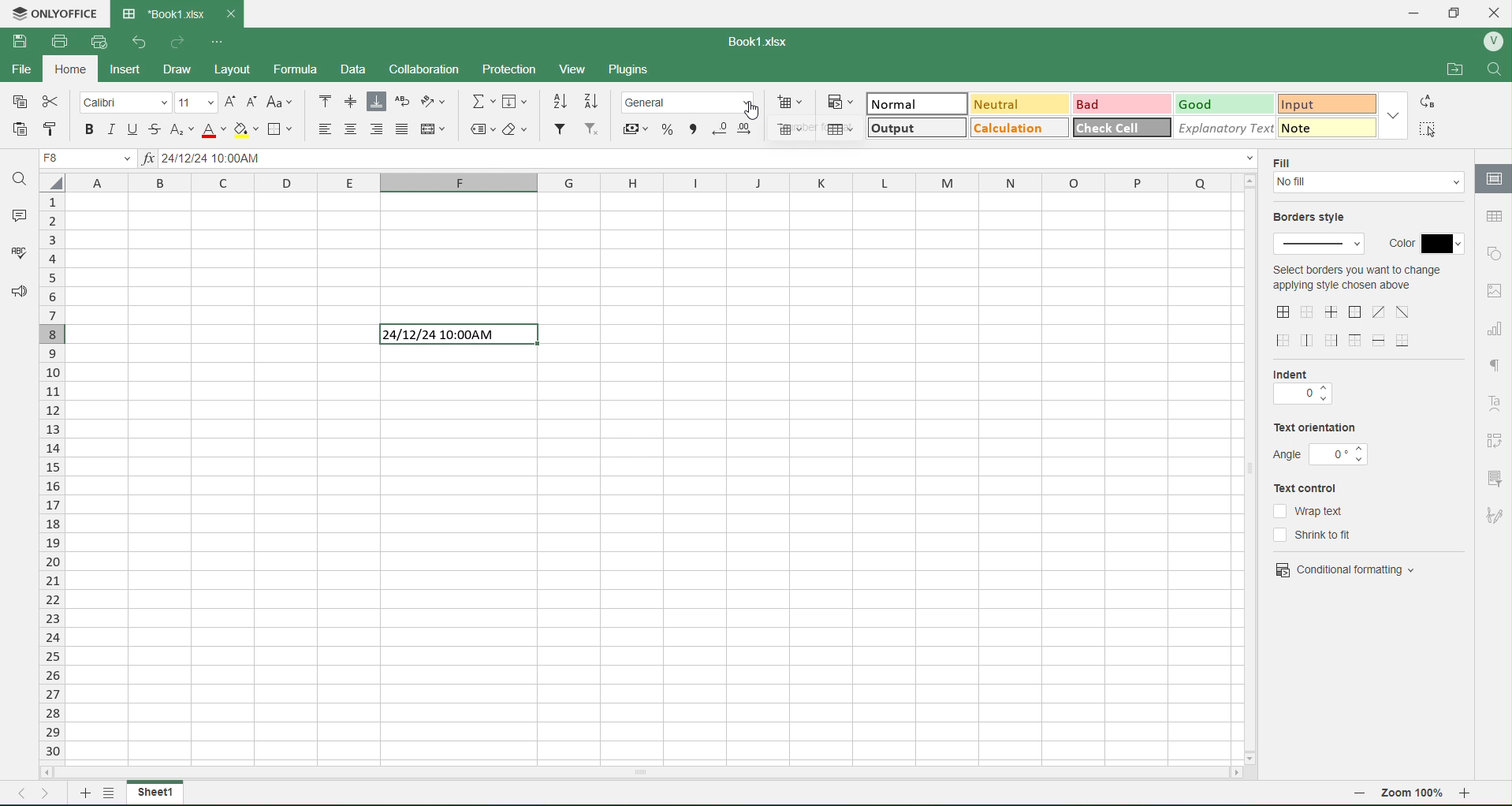  I want to click on close, so click(1499, 11).